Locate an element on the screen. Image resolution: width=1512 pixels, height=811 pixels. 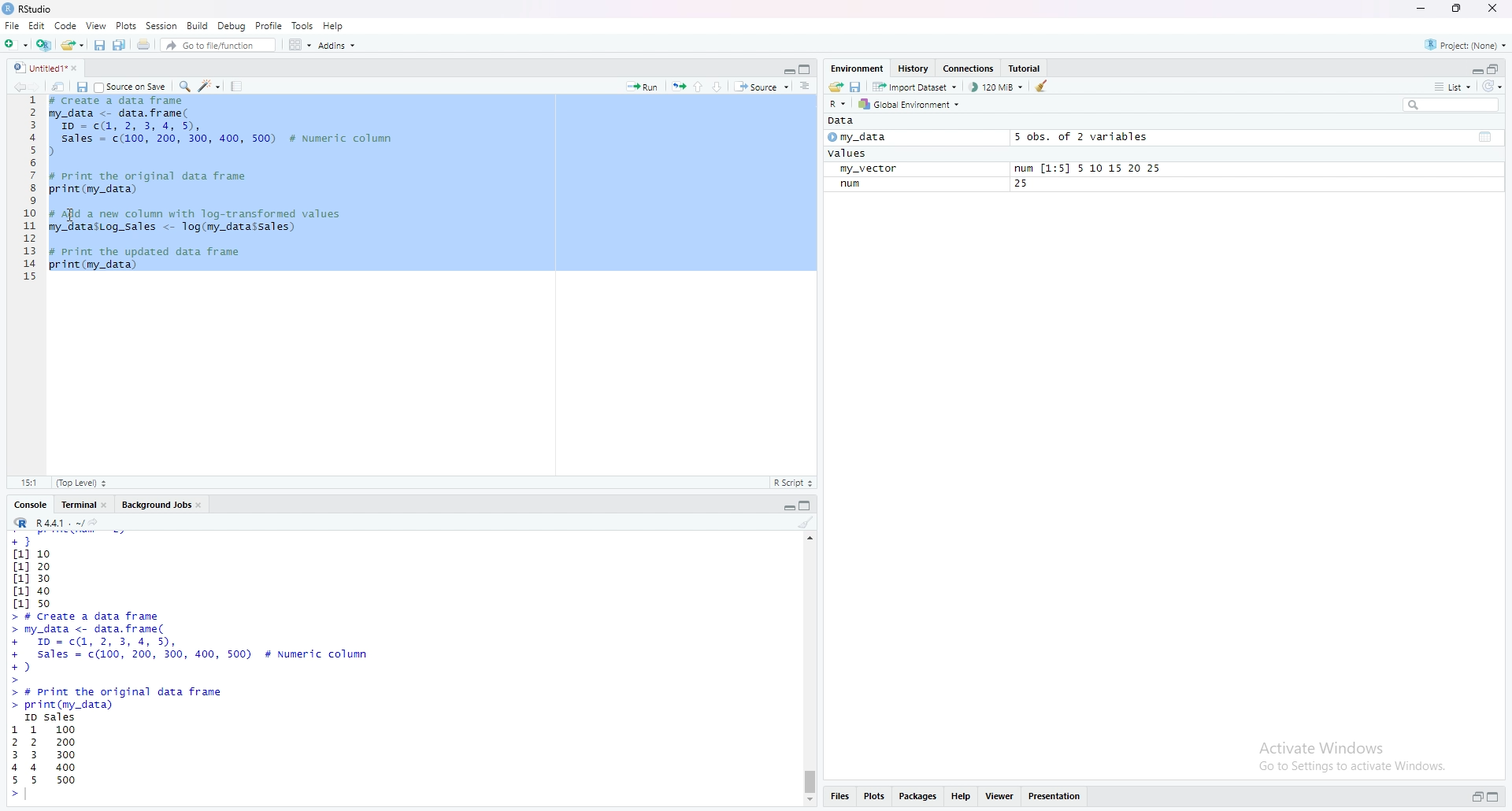
R4.4.1 . ~/ is located at coordinates (61, 525).